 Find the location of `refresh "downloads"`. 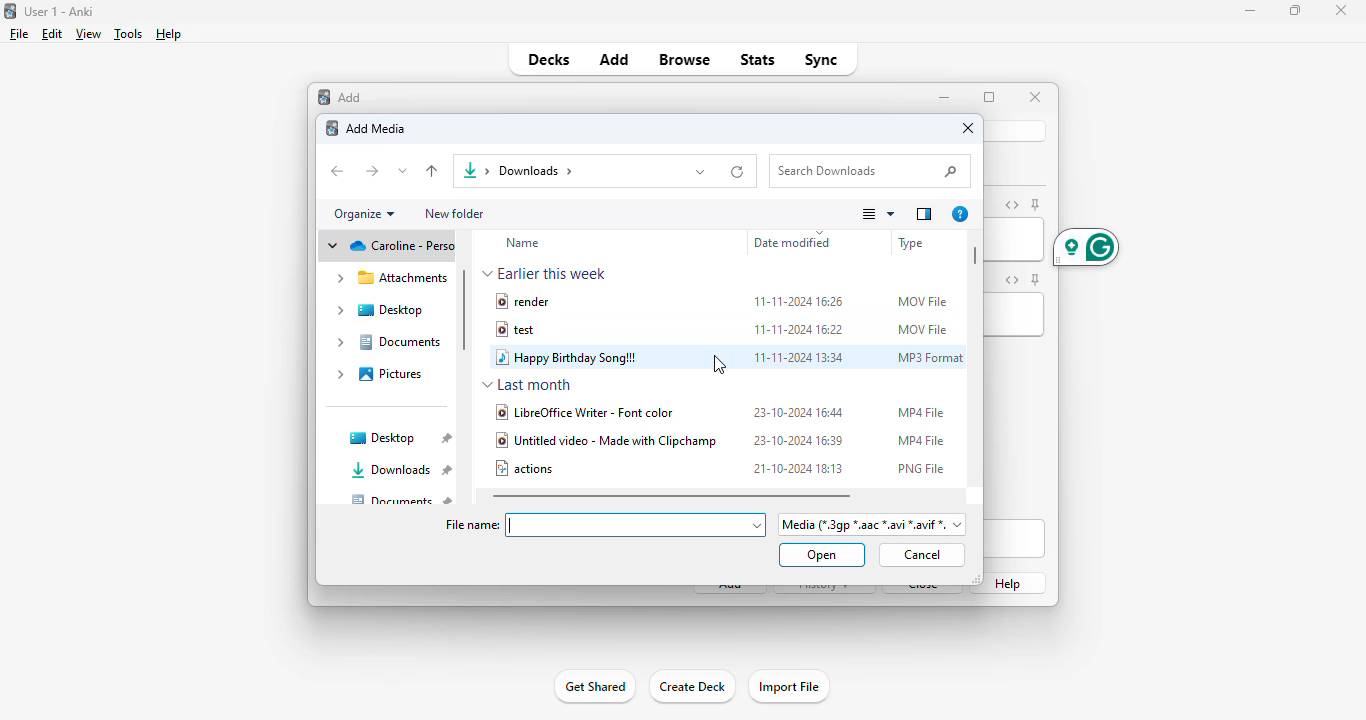

refresh "downloads" is located at coordinates (737, 172).